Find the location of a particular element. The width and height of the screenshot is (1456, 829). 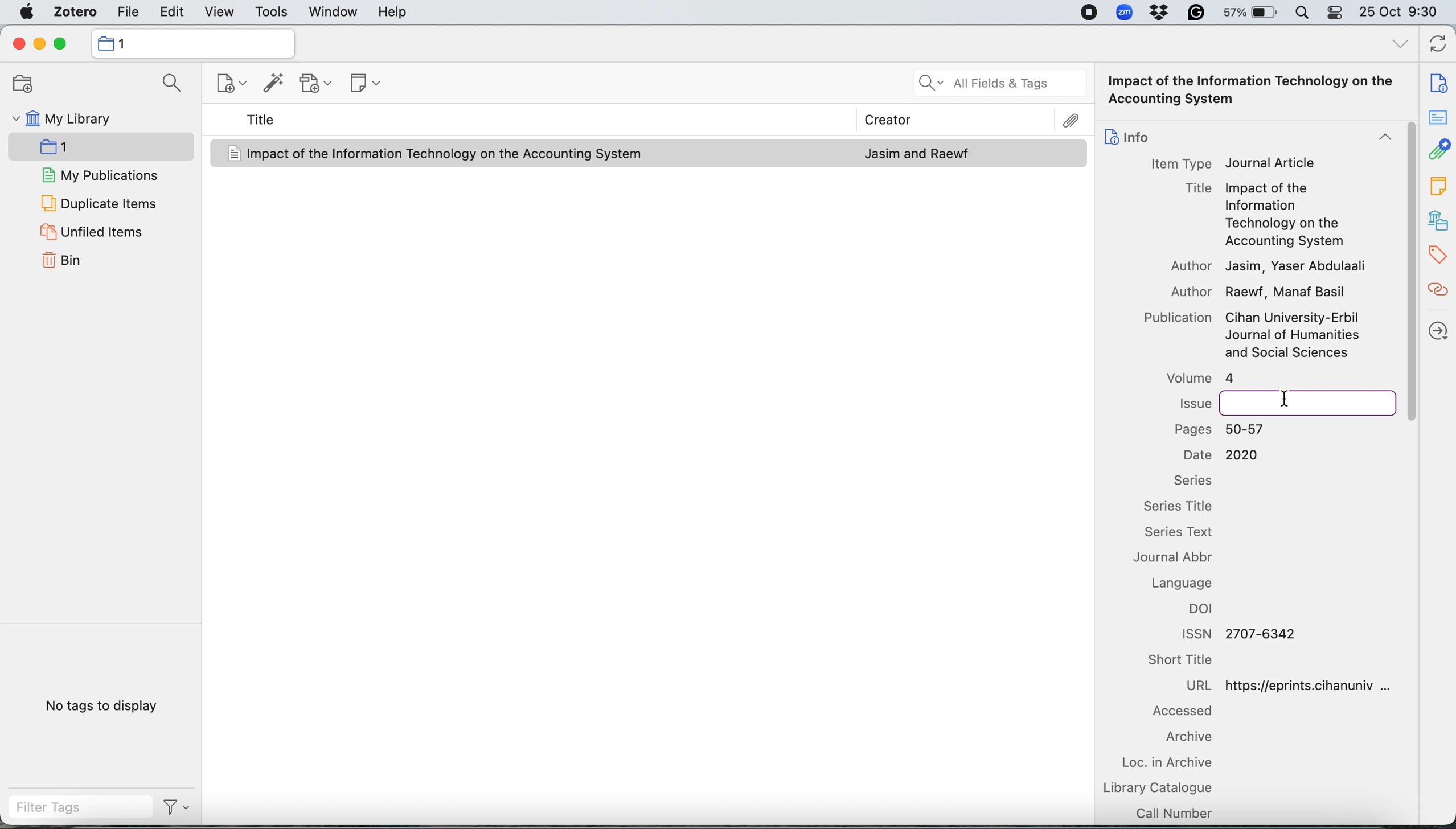

title is located at coordinates (263, 120).